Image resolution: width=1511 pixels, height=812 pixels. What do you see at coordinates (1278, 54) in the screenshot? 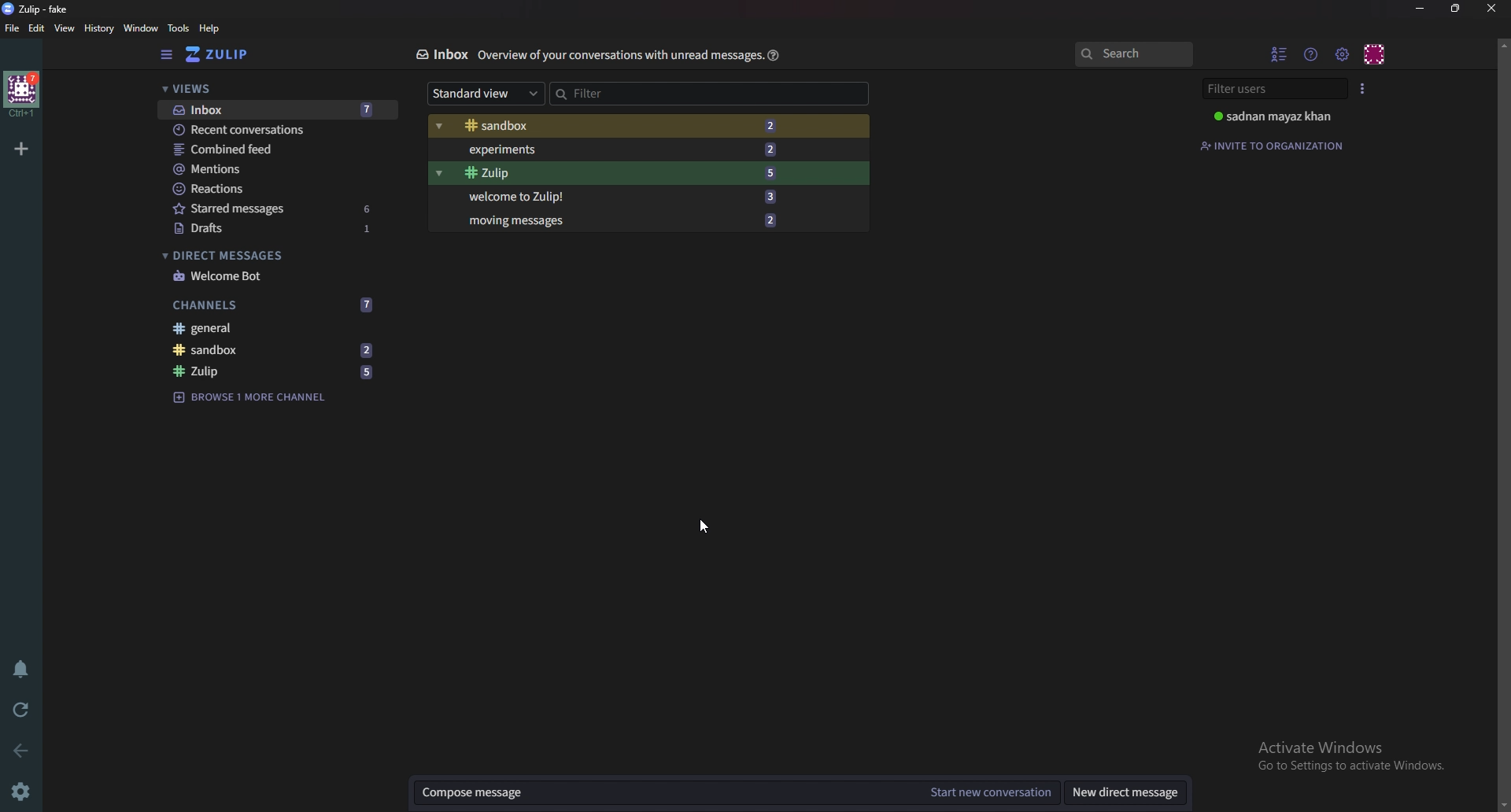
I see `Hide user list` at bounding box center [1278, 54].